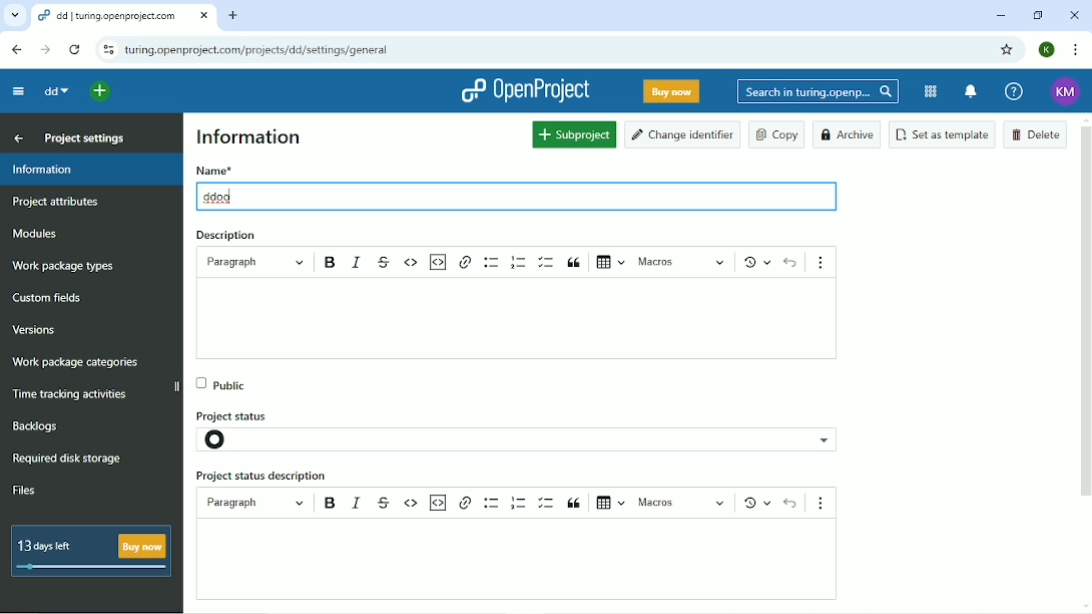 Image resolution: width=1092 pixels, height=614 pixels. I want to click on Restore down, so click(1038, 16).